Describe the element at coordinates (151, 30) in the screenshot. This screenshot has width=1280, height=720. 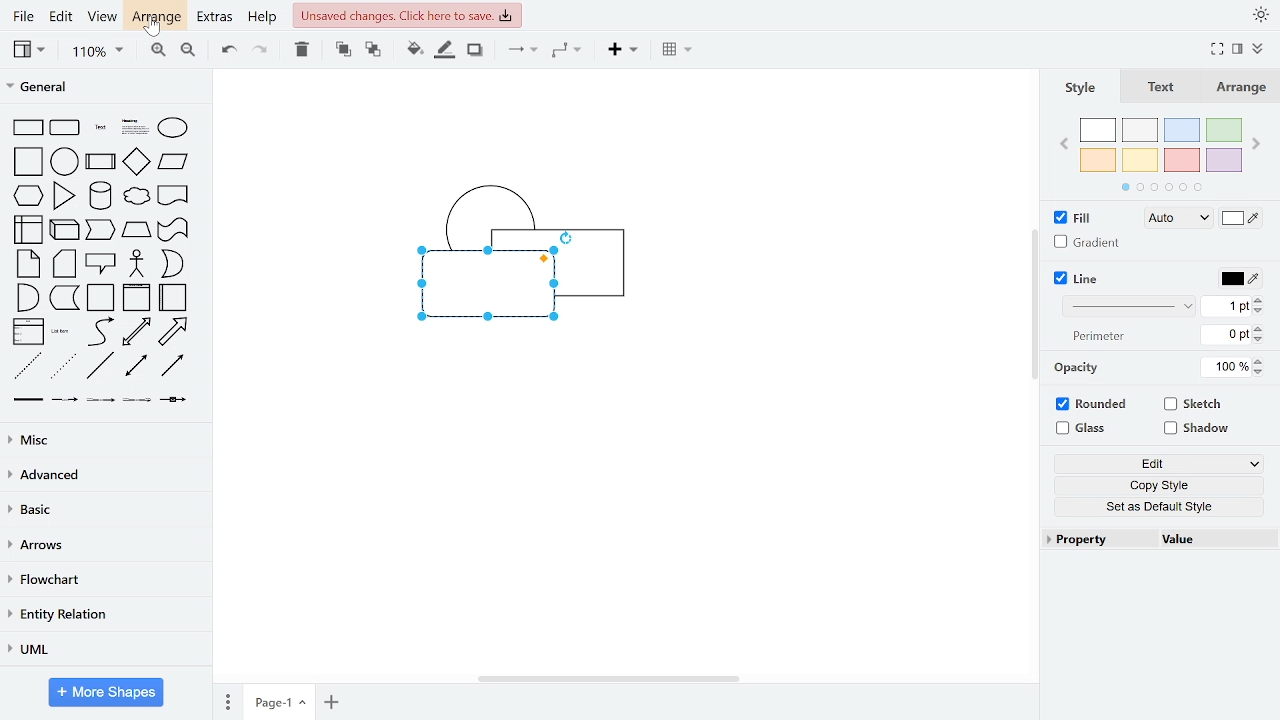
I see `cursor` at that location.